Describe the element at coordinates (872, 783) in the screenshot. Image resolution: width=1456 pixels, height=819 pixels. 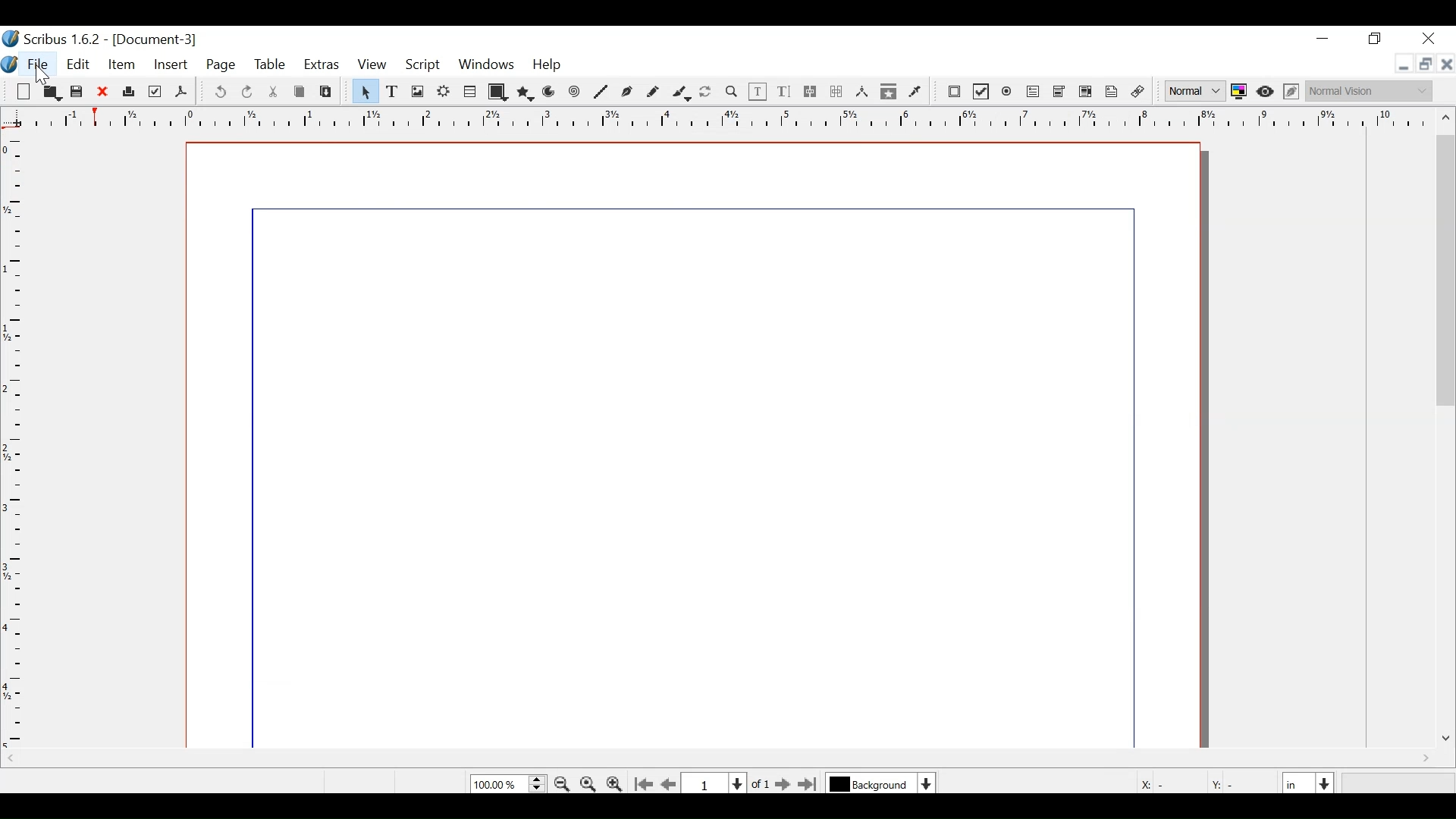
I see `Select the curent layer` at that location.